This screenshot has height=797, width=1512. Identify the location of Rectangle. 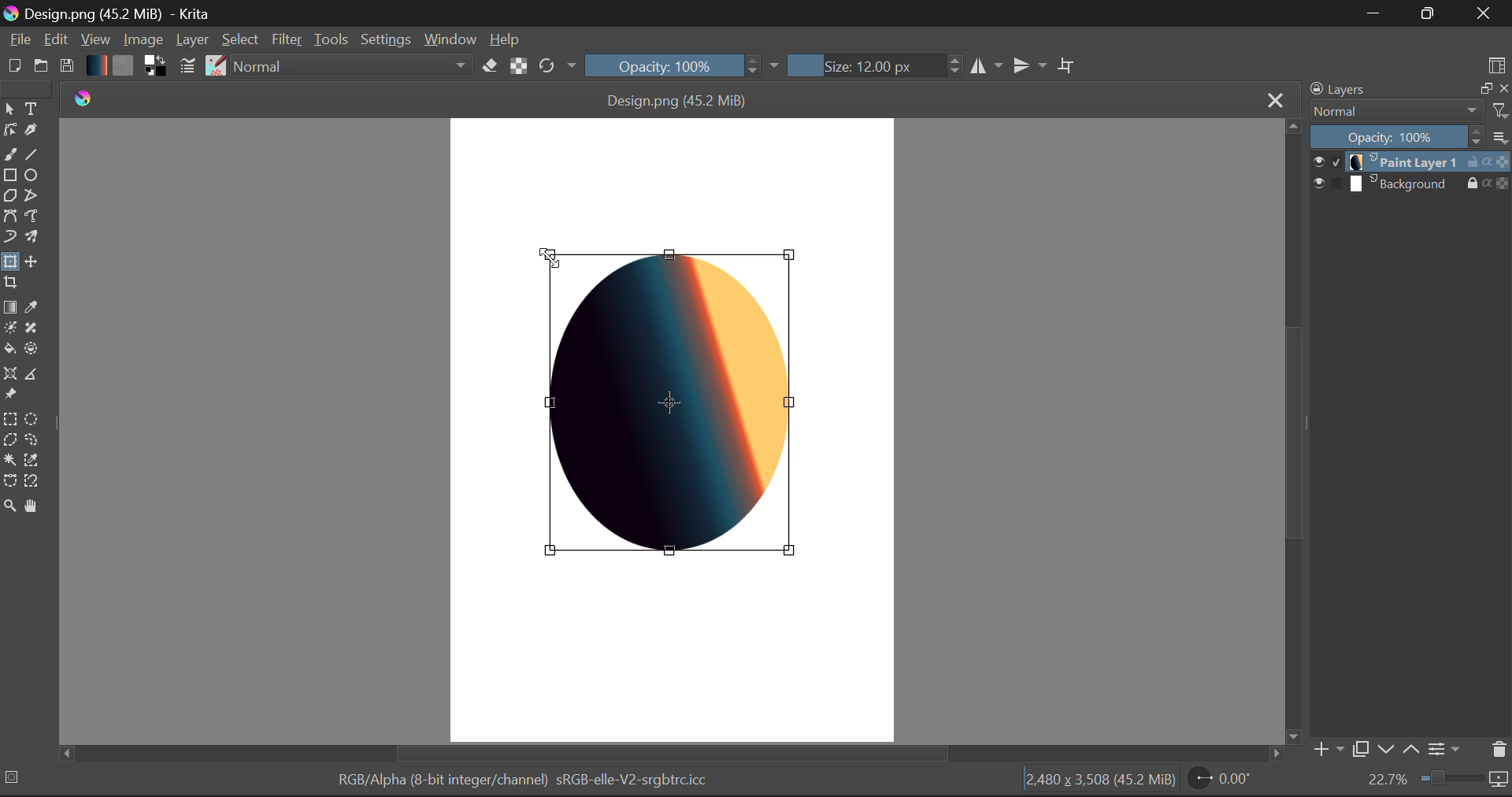
(11, 176).